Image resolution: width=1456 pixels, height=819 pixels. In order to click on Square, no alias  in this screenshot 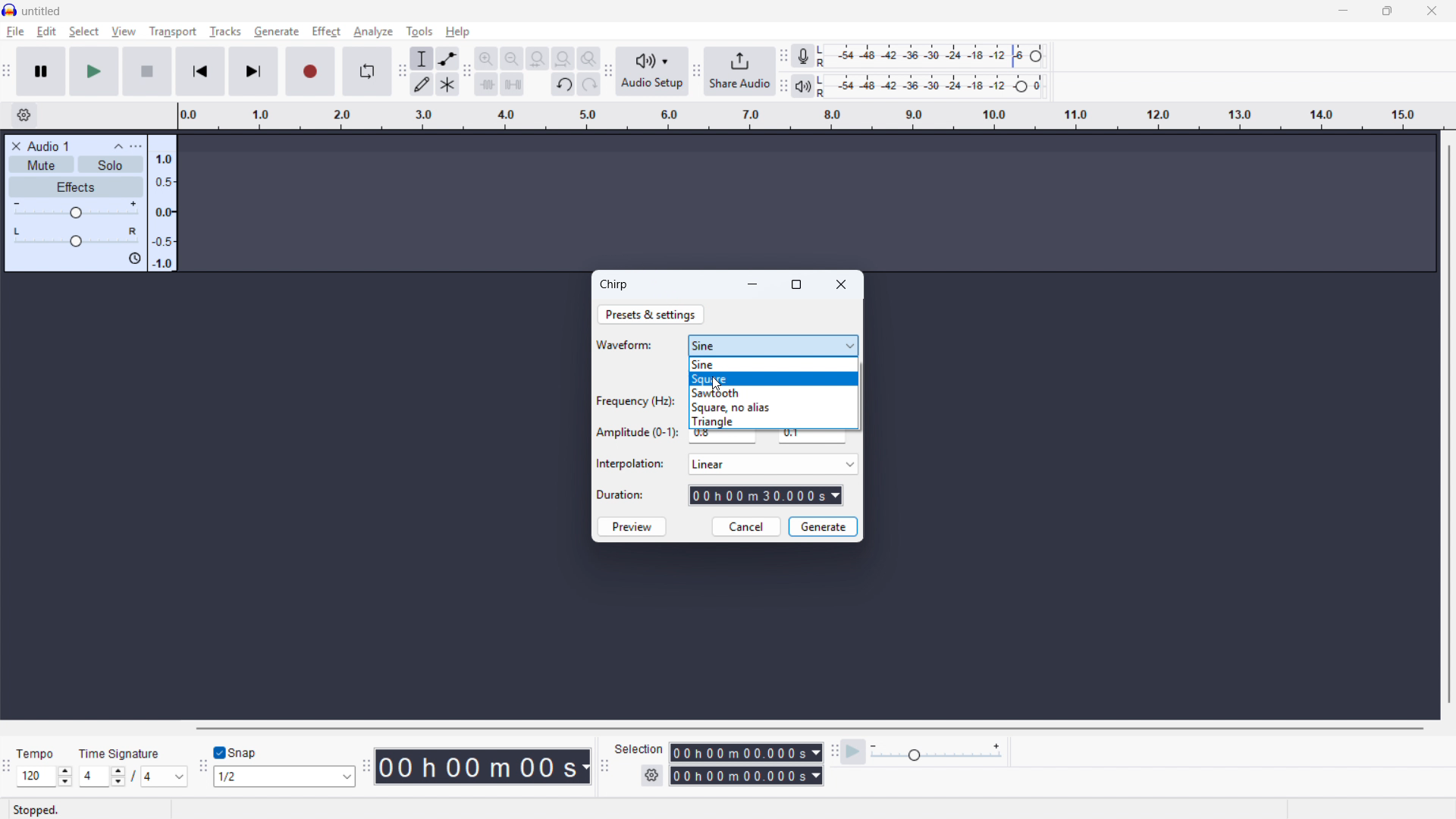, I will do `click(773, 406)`.